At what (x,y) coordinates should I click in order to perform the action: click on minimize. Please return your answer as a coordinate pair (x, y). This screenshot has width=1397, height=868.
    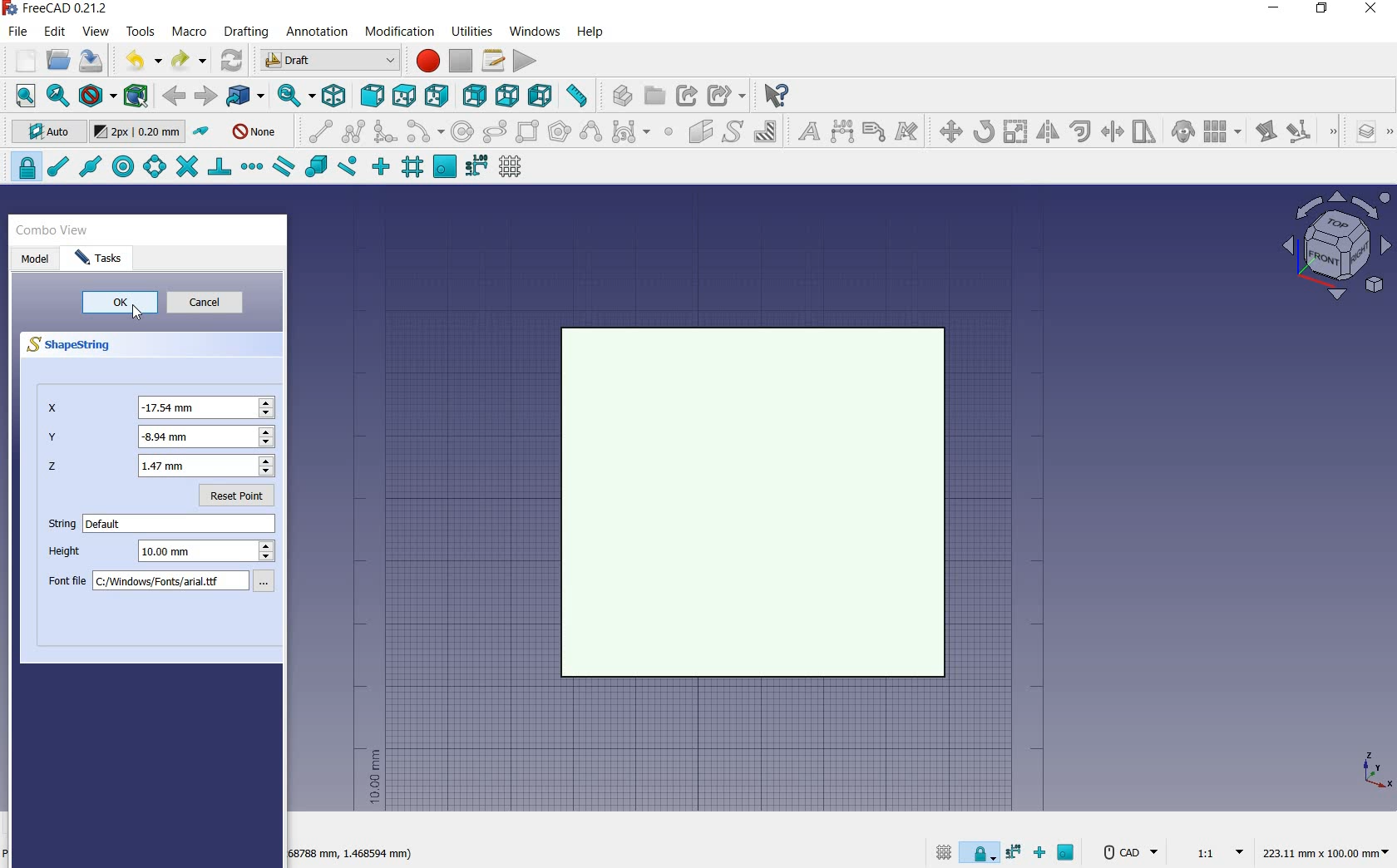
    Looking at the image, I should click on (1275, 10).